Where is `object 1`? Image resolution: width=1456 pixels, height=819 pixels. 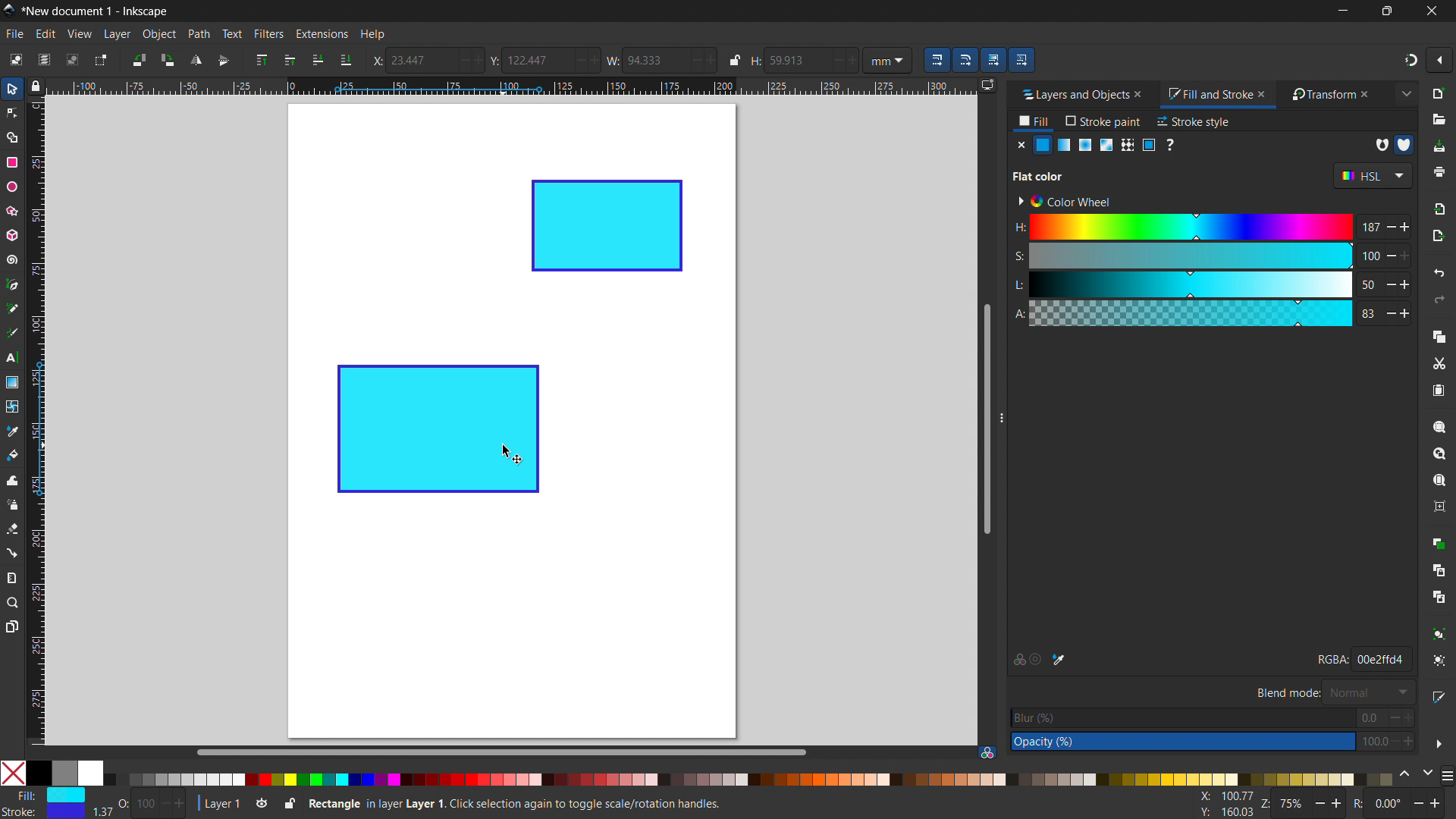
object 1 is located at coordinates (435, 429).